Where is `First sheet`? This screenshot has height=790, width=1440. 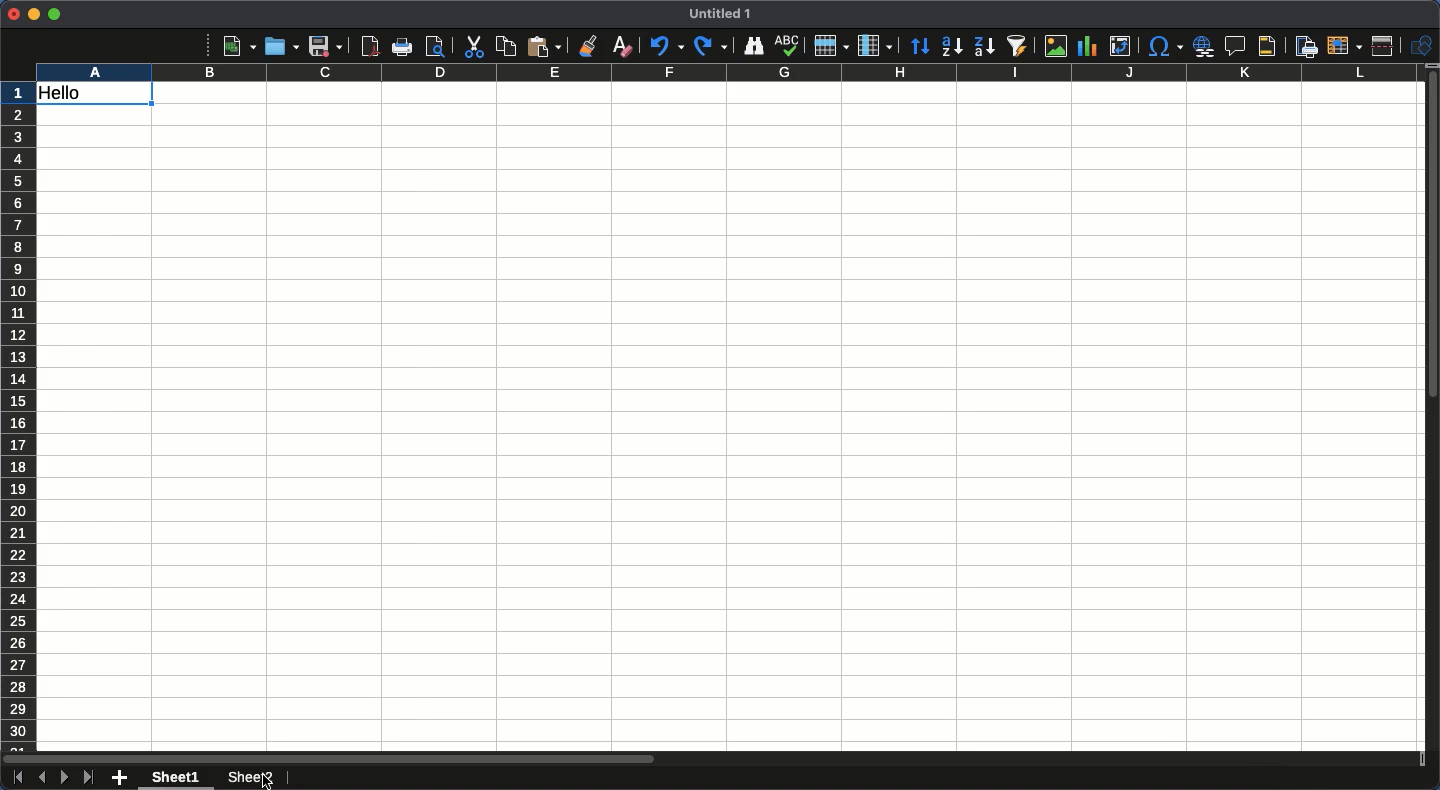 First sheet is located at coordinates (16, 778).